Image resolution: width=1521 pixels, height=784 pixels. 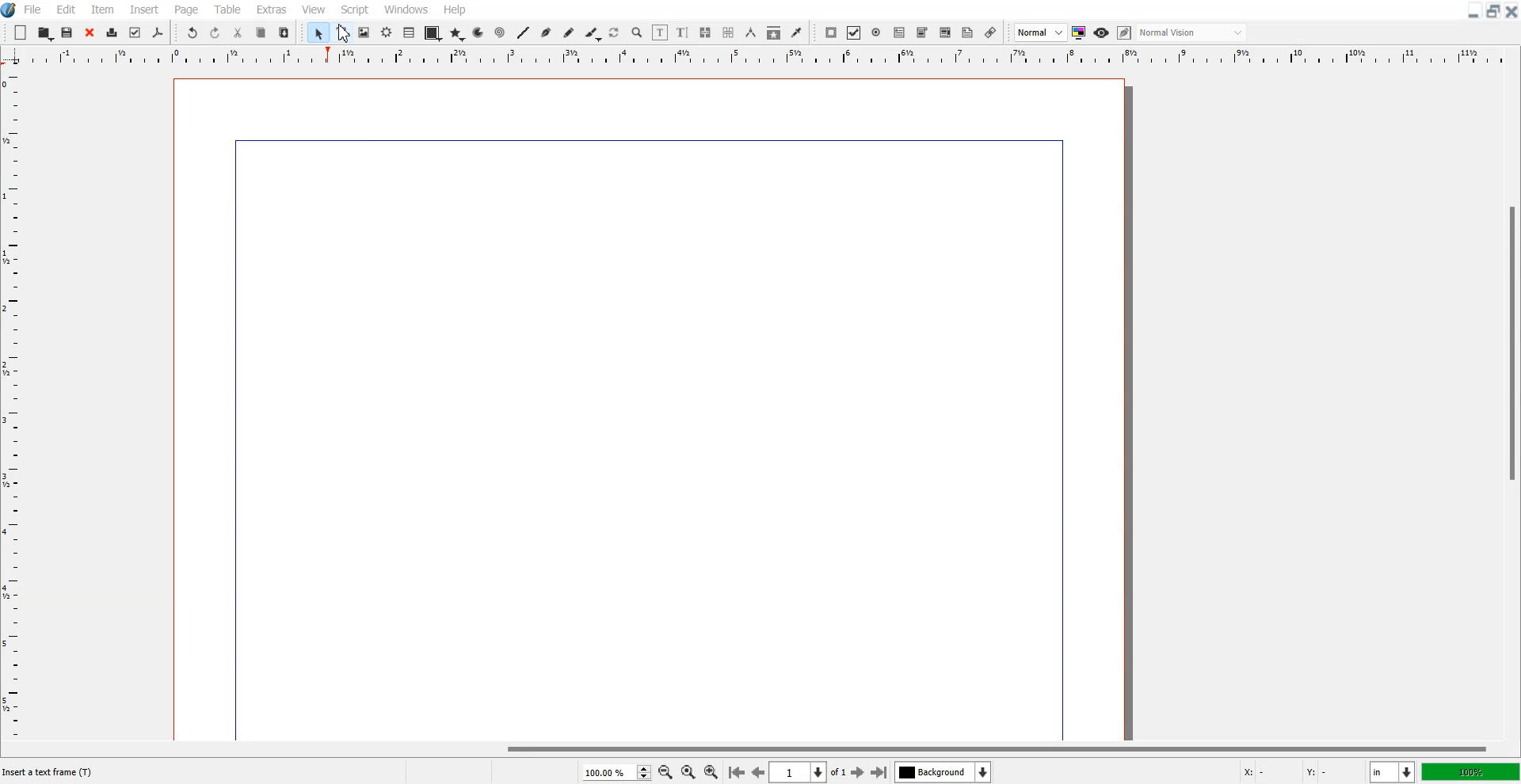 I want to click on PDF Text Box, so click(x=899, y=32).